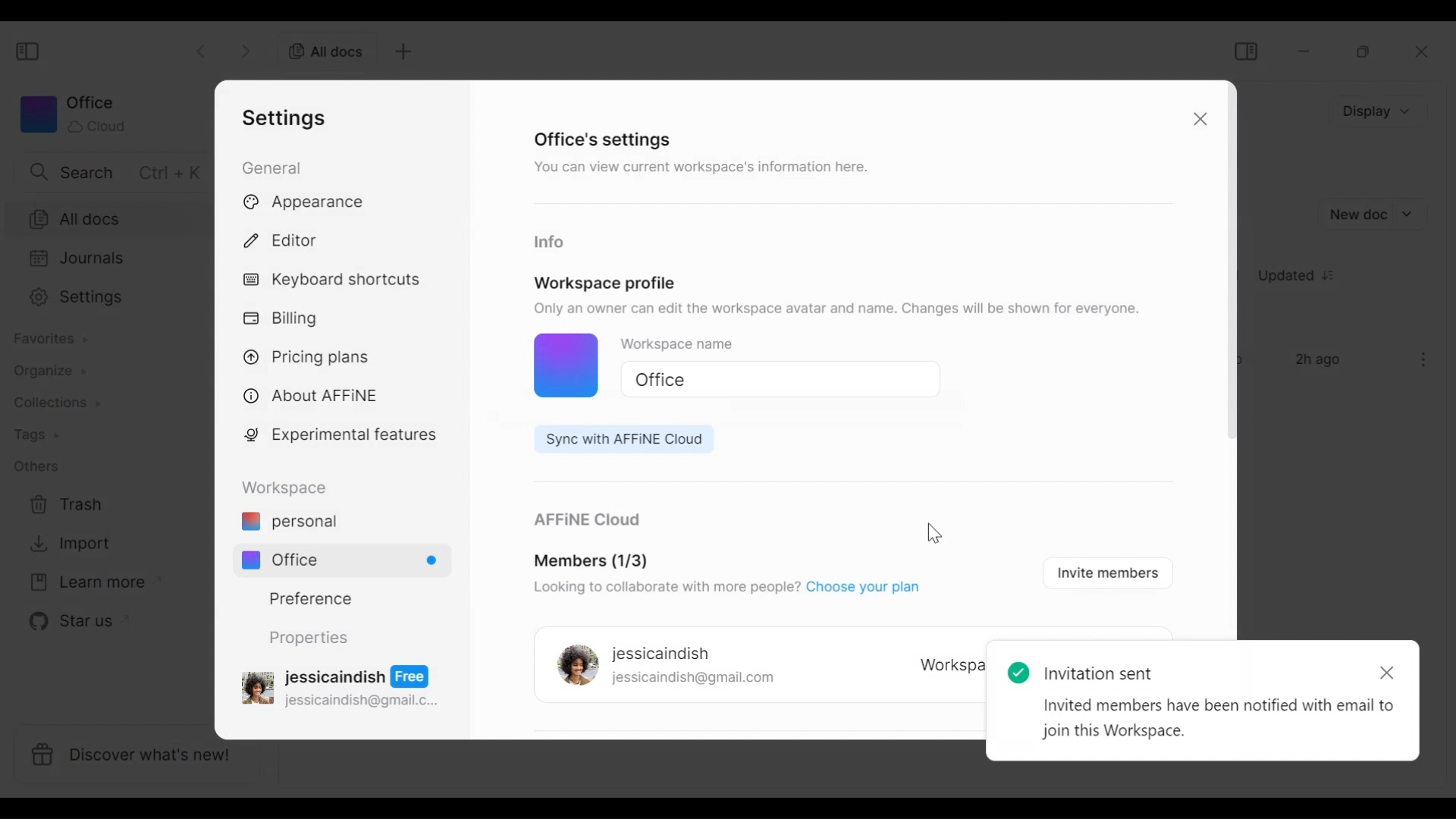  I want to click on Workspace Owner, so click(949, 667).